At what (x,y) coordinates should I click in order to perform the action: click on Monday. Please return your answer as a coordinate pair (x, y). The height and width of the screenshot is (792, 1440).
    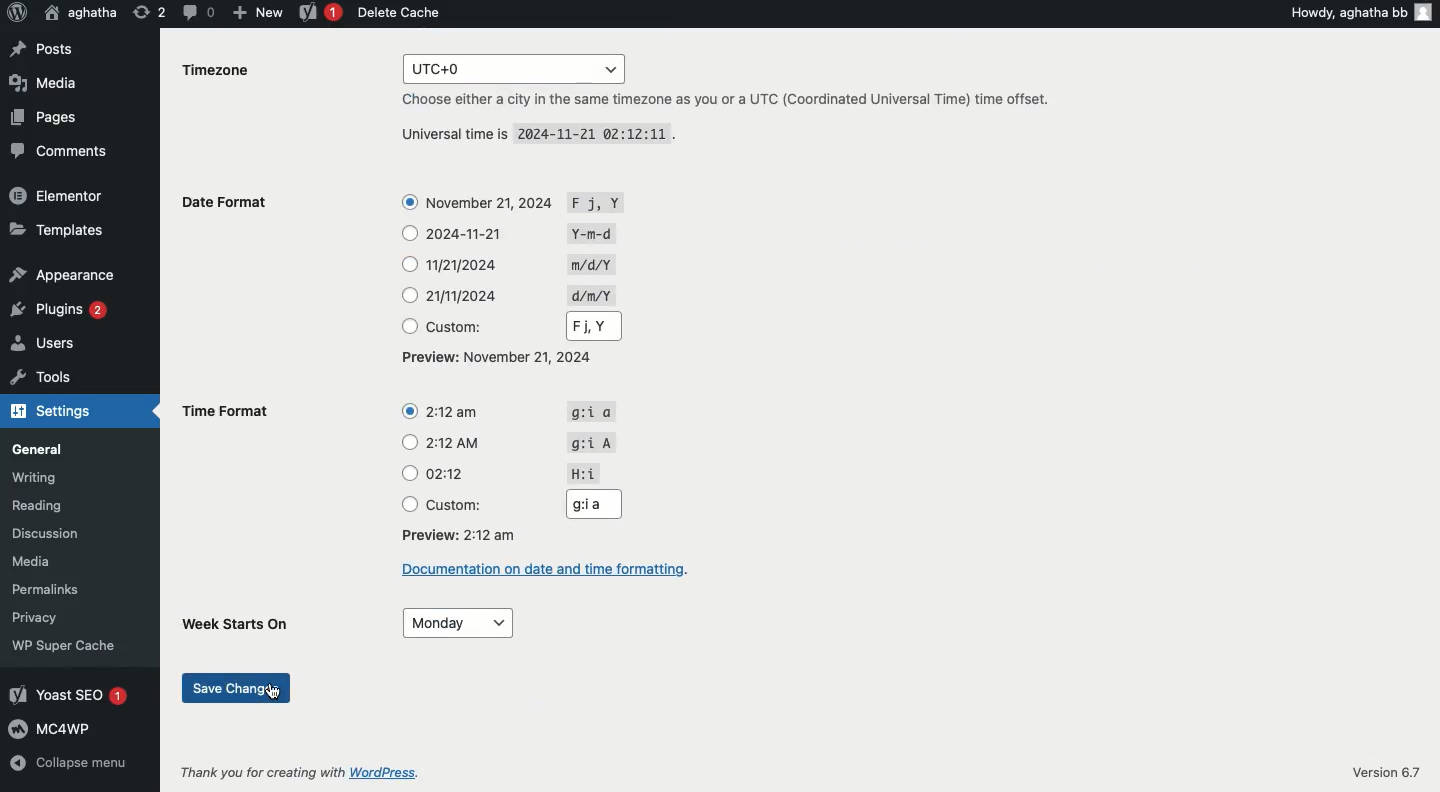
    Looking at the image, I should click on (459, 620).